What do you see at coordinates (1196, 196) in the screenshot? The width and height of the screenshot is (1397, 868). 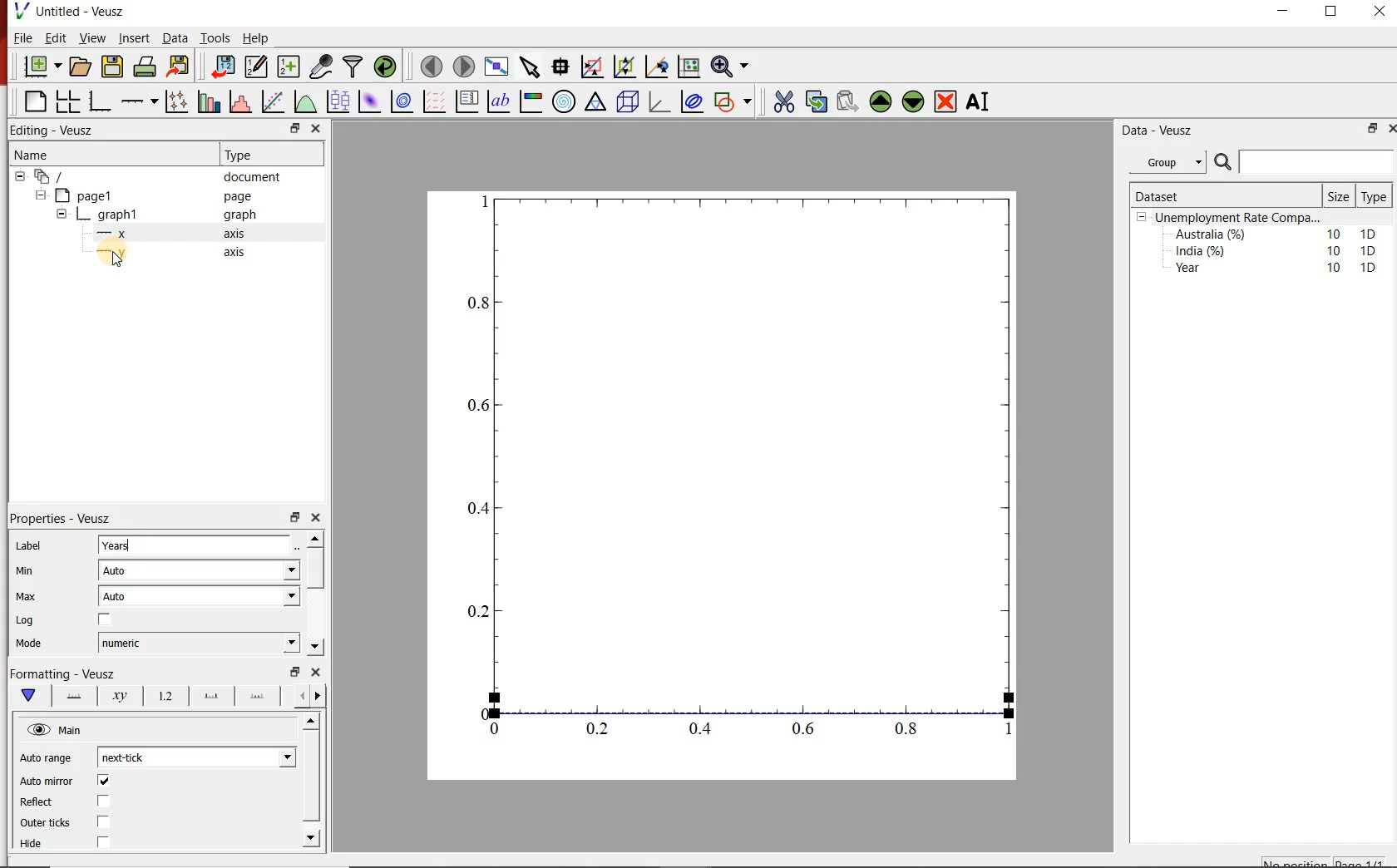 I see `Dataset` at bounding box center [1196, 196].